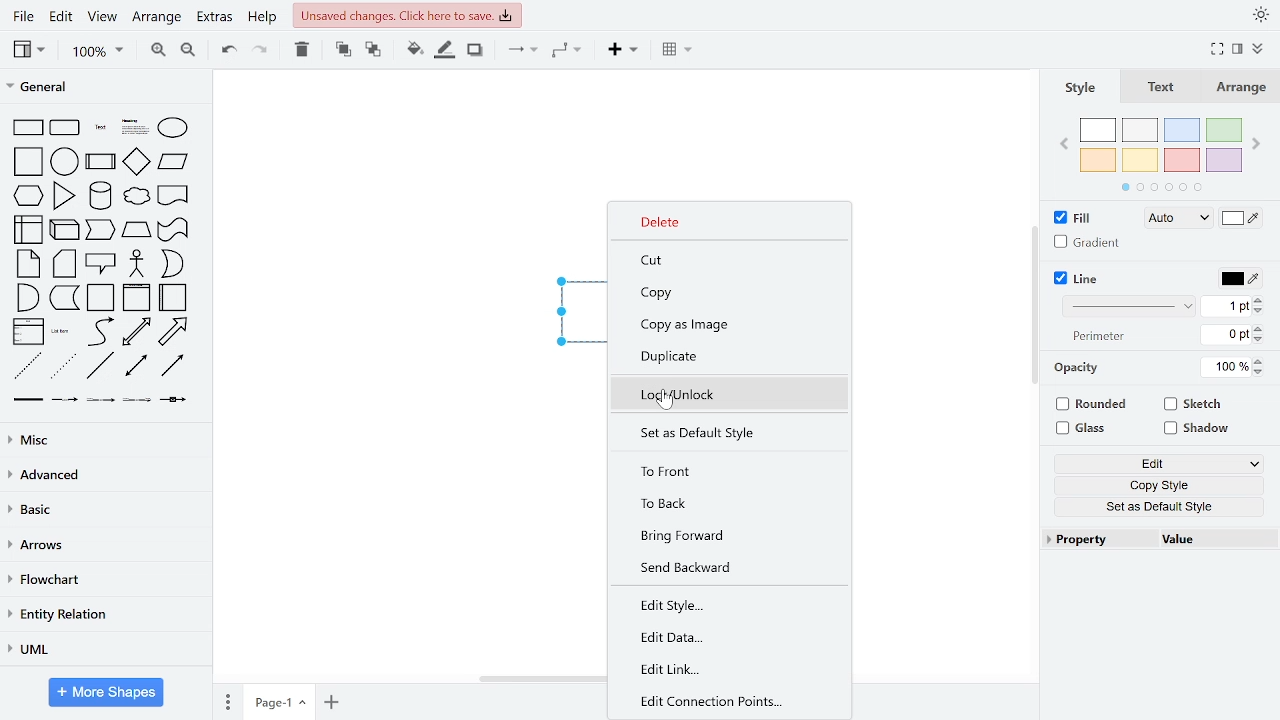 The image size is (1280, 720). What do you see at coordinates (1163, 187) in the screenshot?
I see `pages in colors` at bounding box center [1163, 187].